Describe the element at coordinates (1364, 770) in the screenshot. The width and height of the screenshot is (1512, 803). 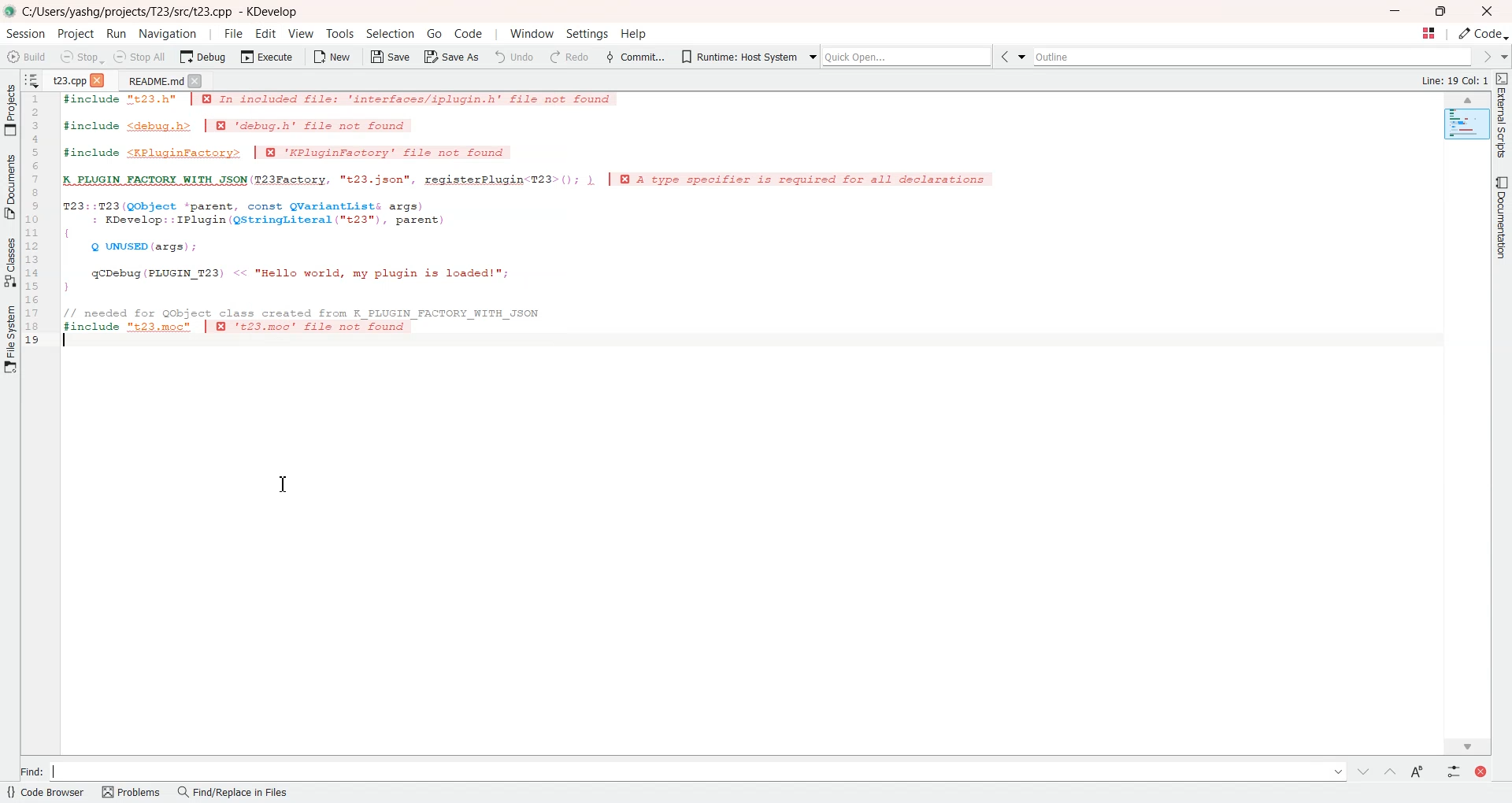
I see `Jump to next match` at that location.